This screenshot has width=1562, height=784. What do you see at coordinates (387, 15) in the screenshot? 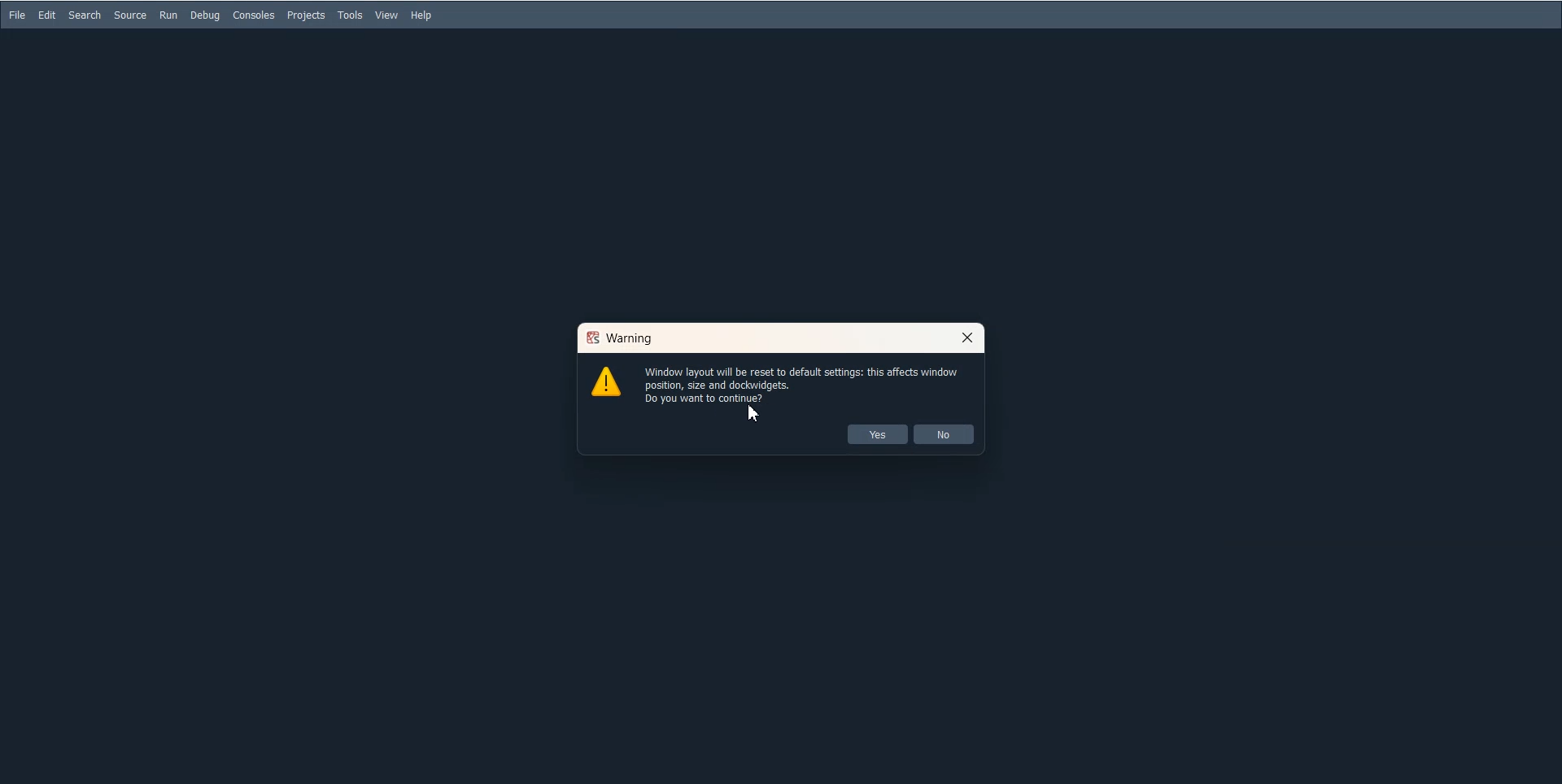
I see `View` at bounding box center [387, 15].